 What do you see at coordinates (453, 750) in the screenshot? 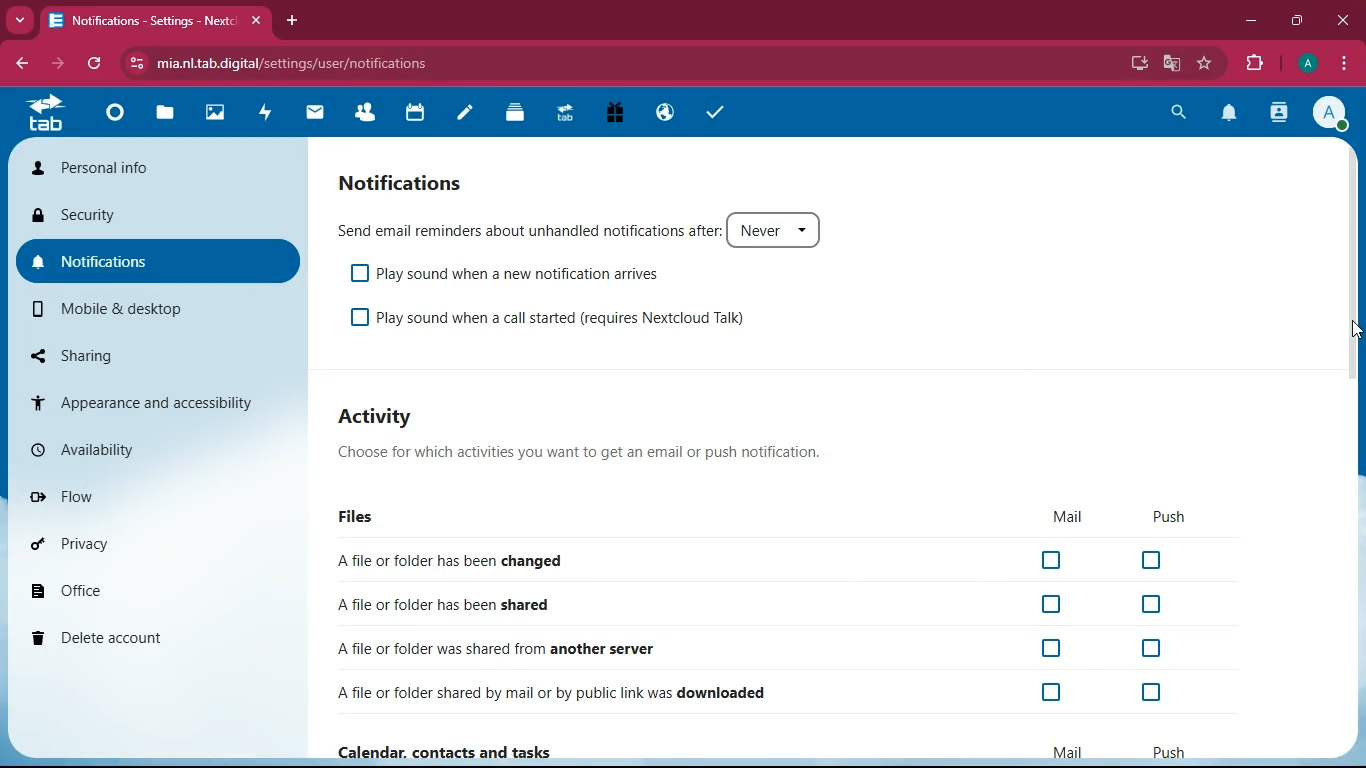
I see `Calendar. contacts and tasks` at bounding box center [453, 750].